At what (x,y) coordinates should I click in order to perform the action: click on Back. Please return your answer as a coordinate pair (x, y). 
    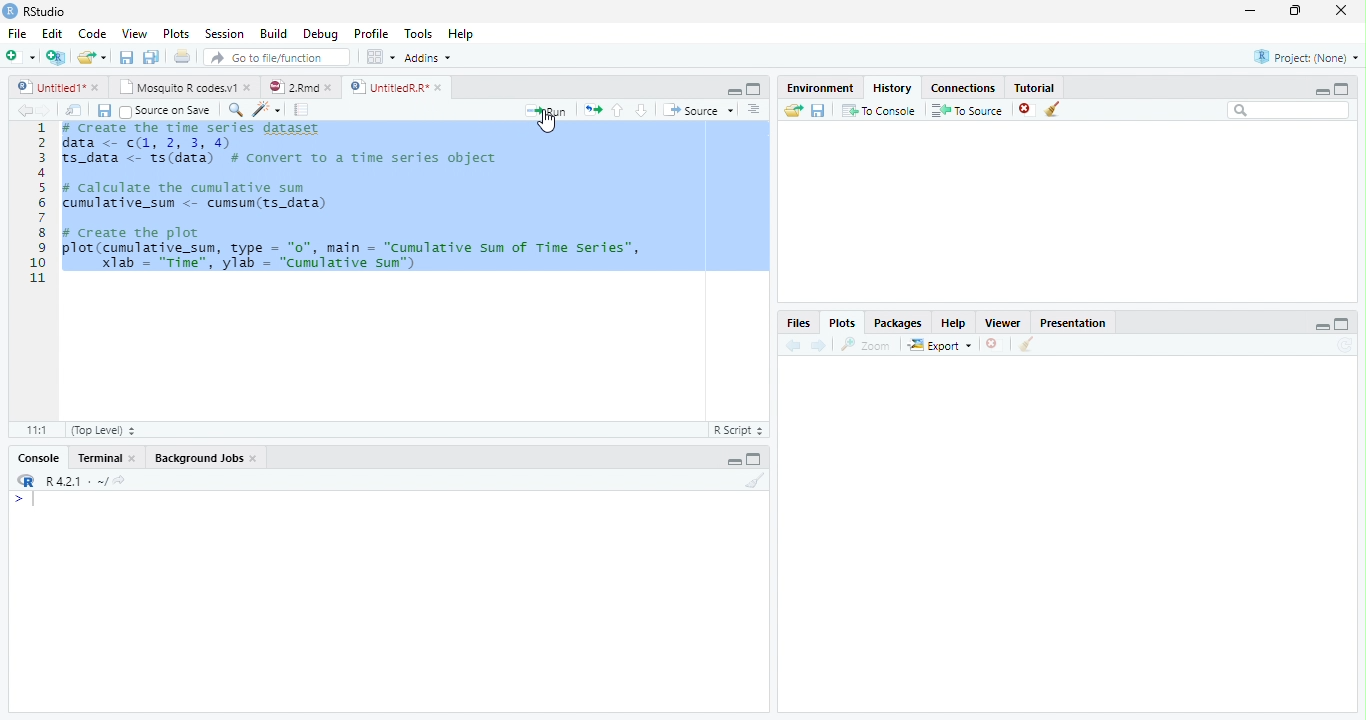
    Looking at the image, I should click on (791, 346).